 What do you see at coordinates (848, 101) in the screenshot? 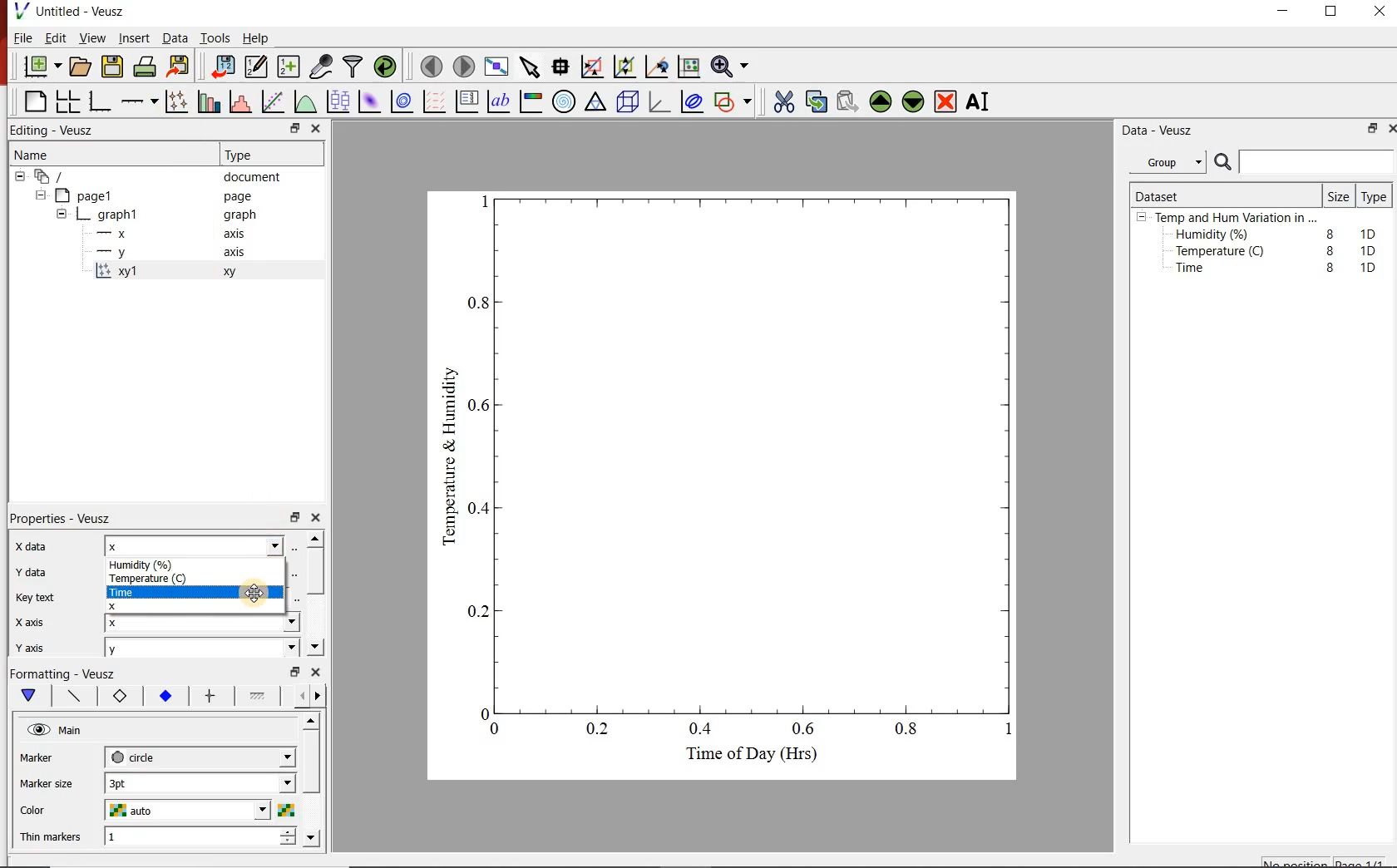
I see `Paste widget from the clipboard` at bounding box center [848, 101].